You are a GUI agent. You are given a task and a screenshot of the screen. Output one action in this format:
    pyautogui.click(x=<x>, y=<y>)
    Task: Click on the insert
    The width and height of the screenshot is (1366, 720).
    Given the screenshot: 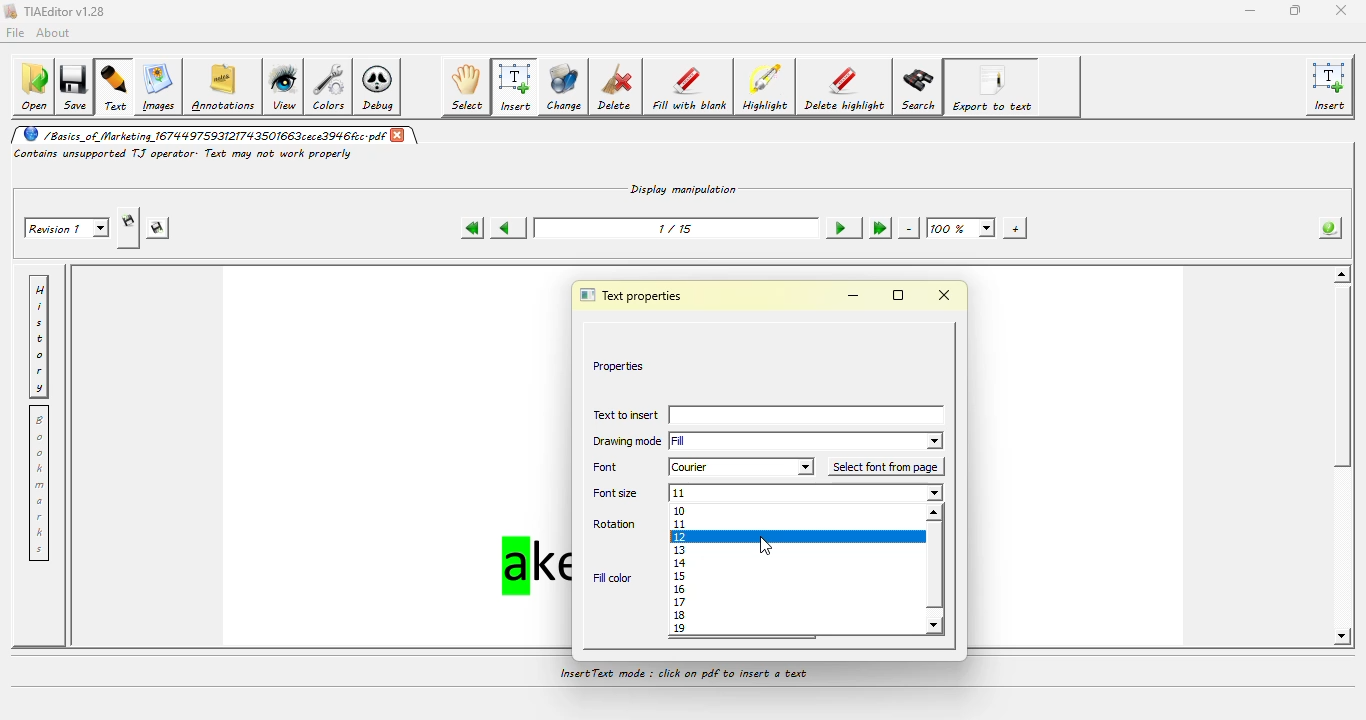 What is the action you would take?
    pyautogui.click(x=809, y=416)
    